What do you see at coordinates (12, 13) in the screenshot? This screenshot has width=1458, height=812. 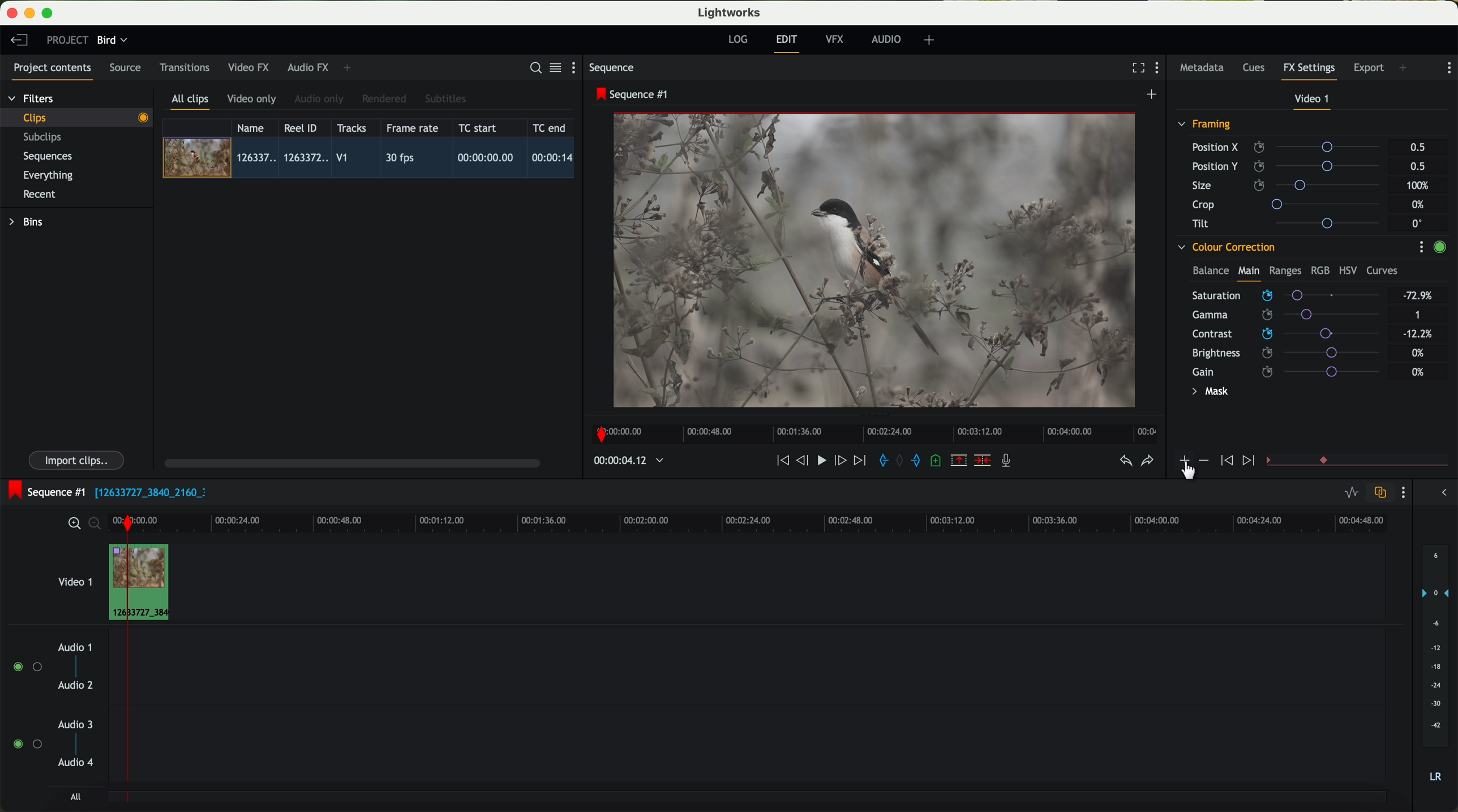 I see `close program` at bounding box center [12, 13].